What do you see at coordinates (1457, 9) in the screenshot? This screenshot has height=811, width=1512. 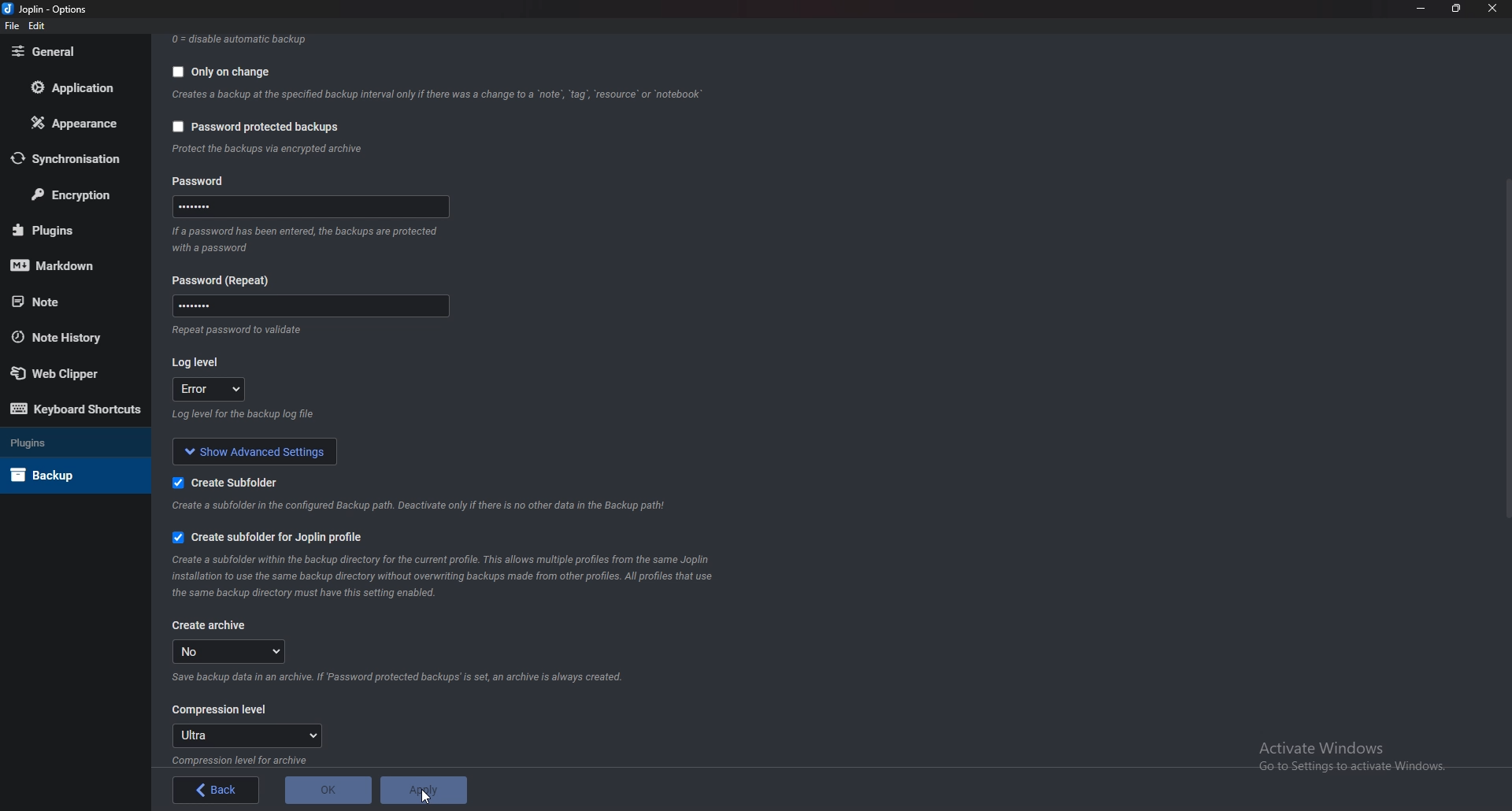 I see `Resize` at bounding box center [1457, 9].